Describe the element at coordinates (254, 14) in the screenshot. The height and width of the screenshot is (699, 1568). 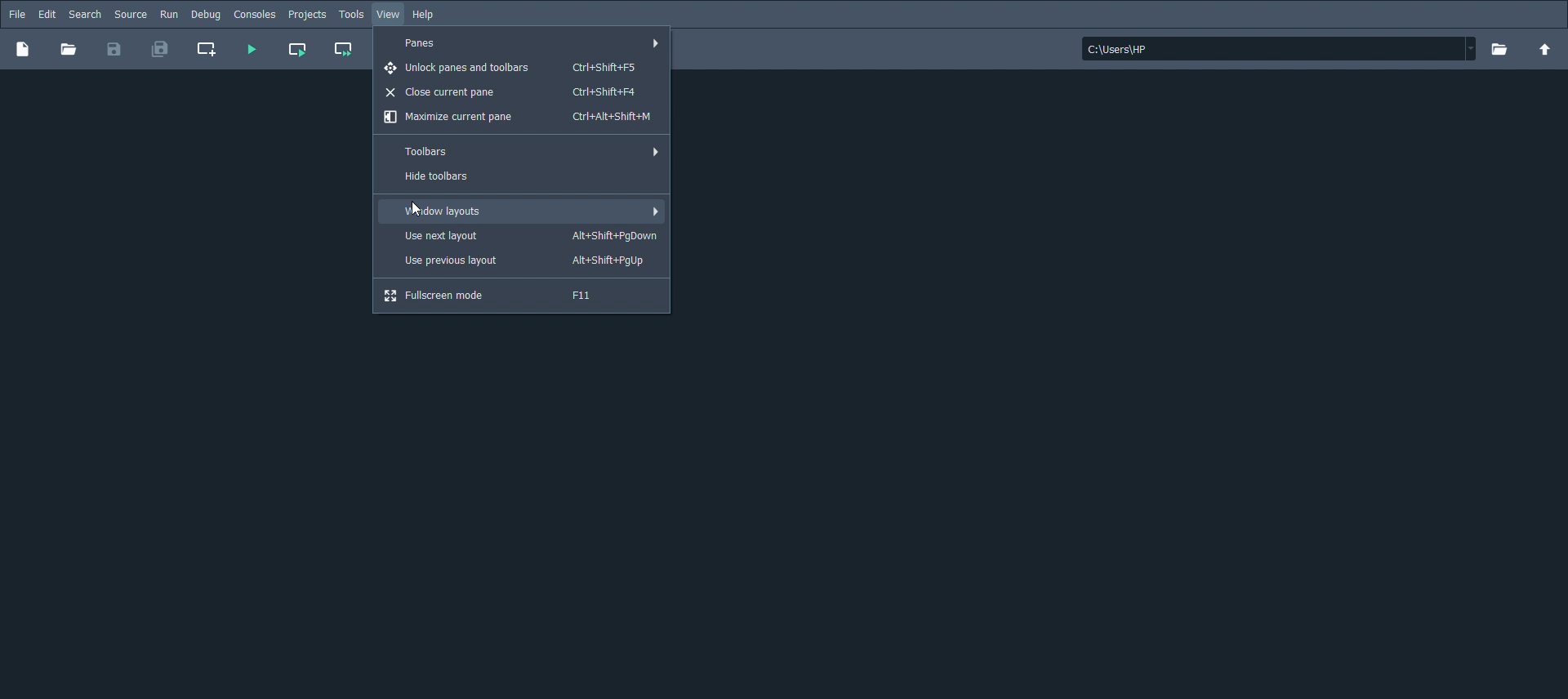
I see `consoles` at that location.